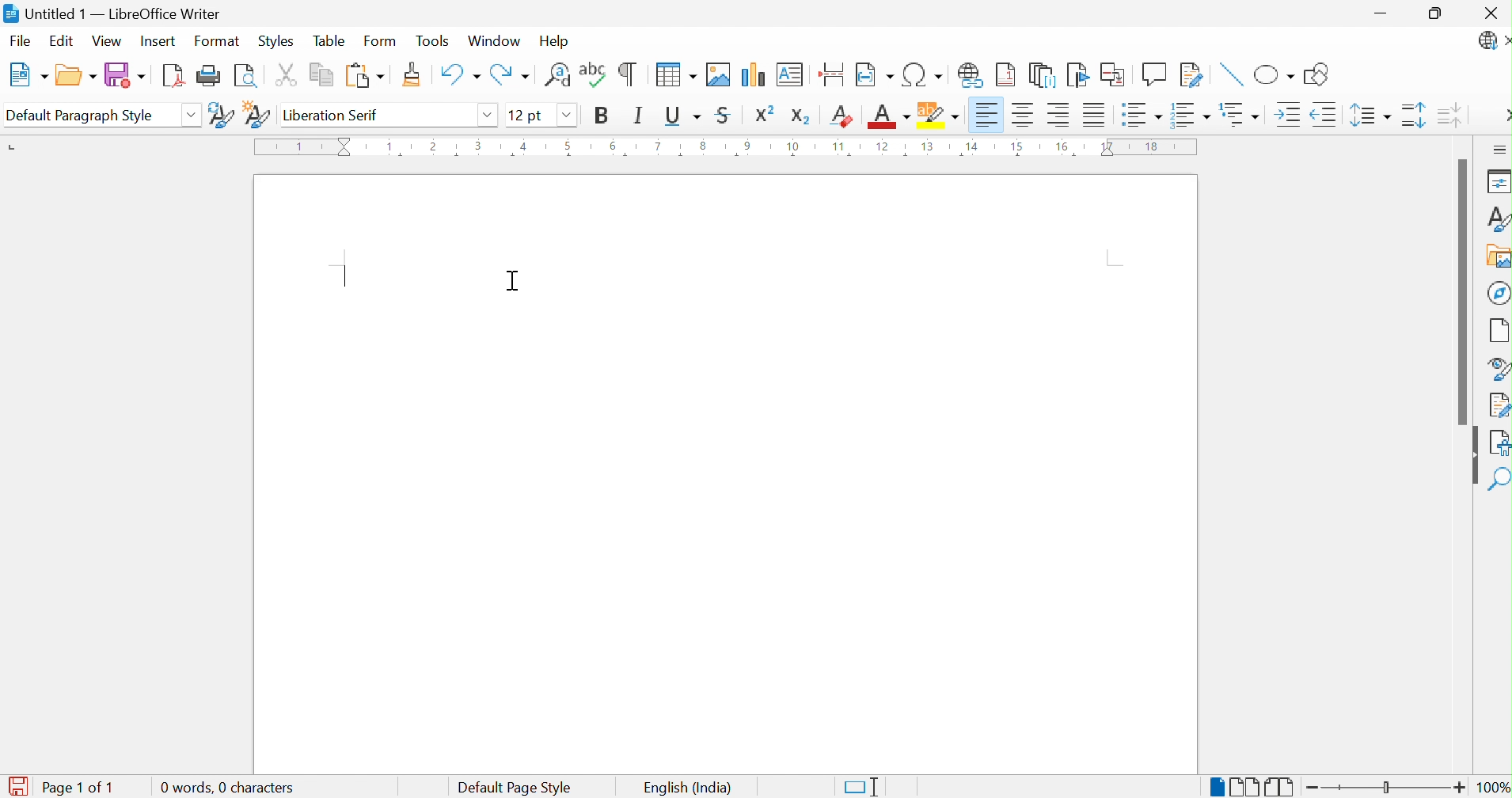 Image resolution: width=1512 pixels, height=798 pixels. I want to click on Drop Down, so click(490, 116).